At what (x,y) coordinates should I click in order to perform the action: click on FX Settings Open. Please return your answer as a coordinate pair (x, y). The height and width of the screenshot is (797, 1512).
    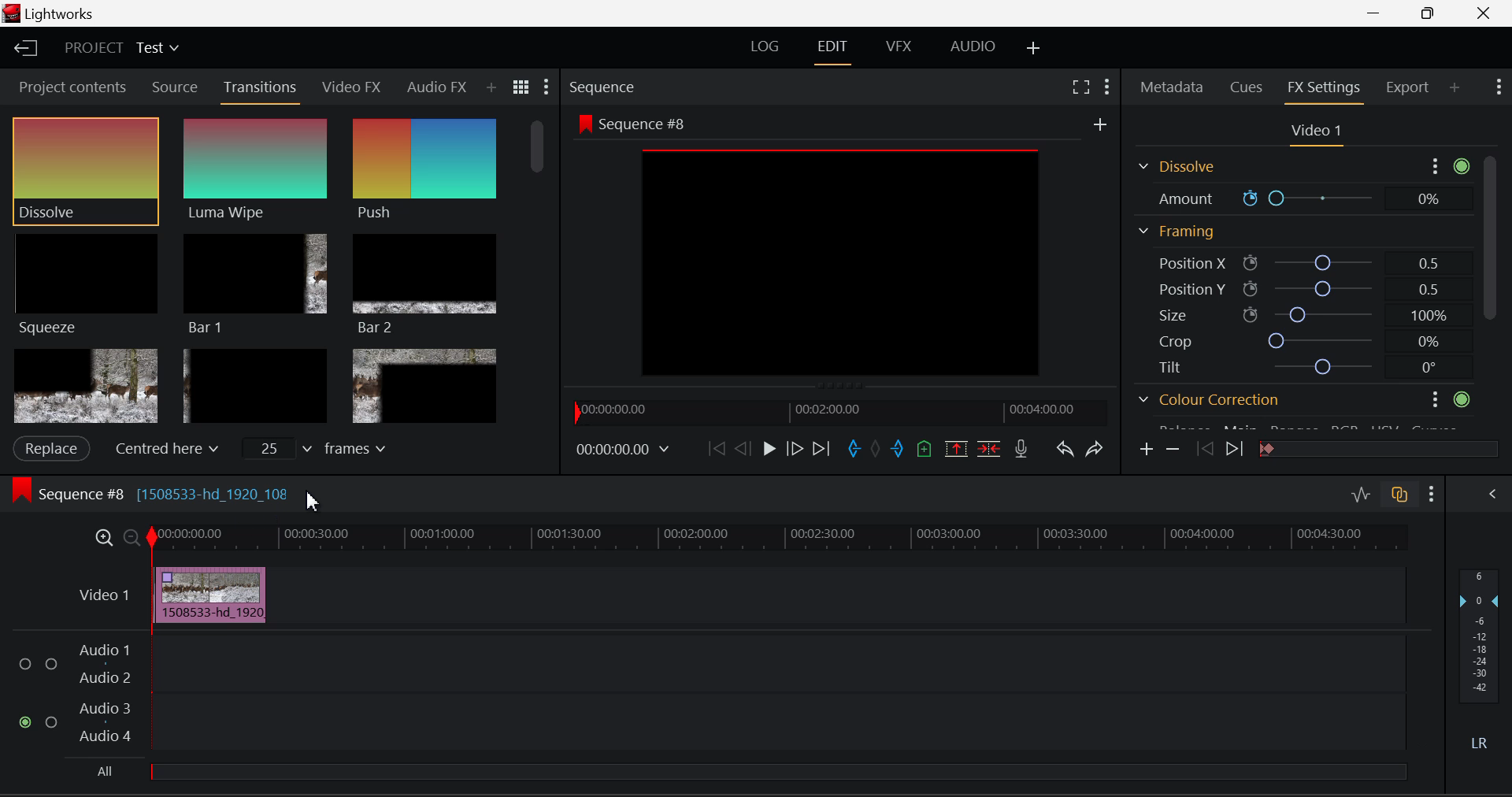
    Looking at the image, I should click on (1323, 89).